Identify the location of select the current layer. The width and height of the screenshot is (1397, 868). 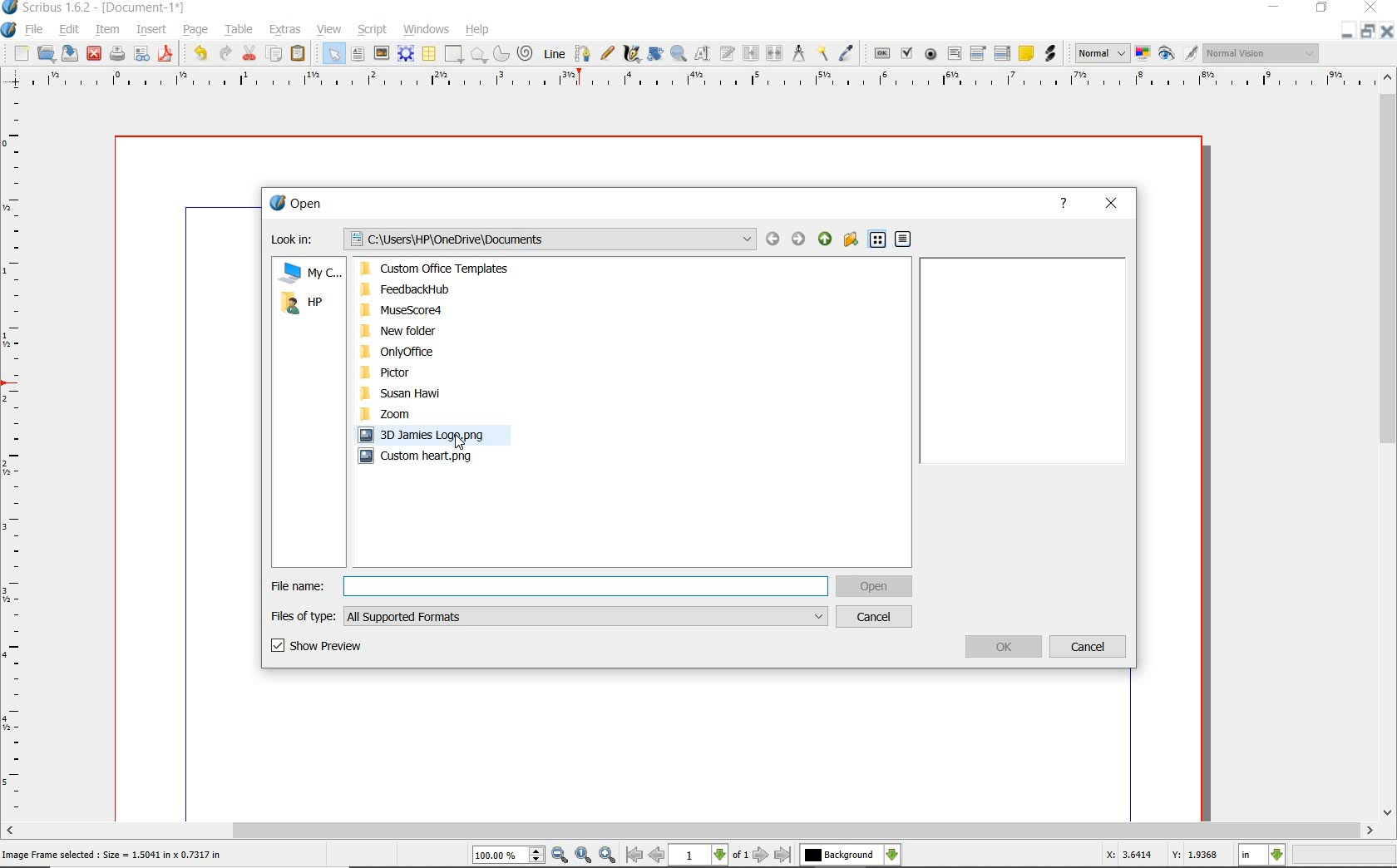
(850, 855).